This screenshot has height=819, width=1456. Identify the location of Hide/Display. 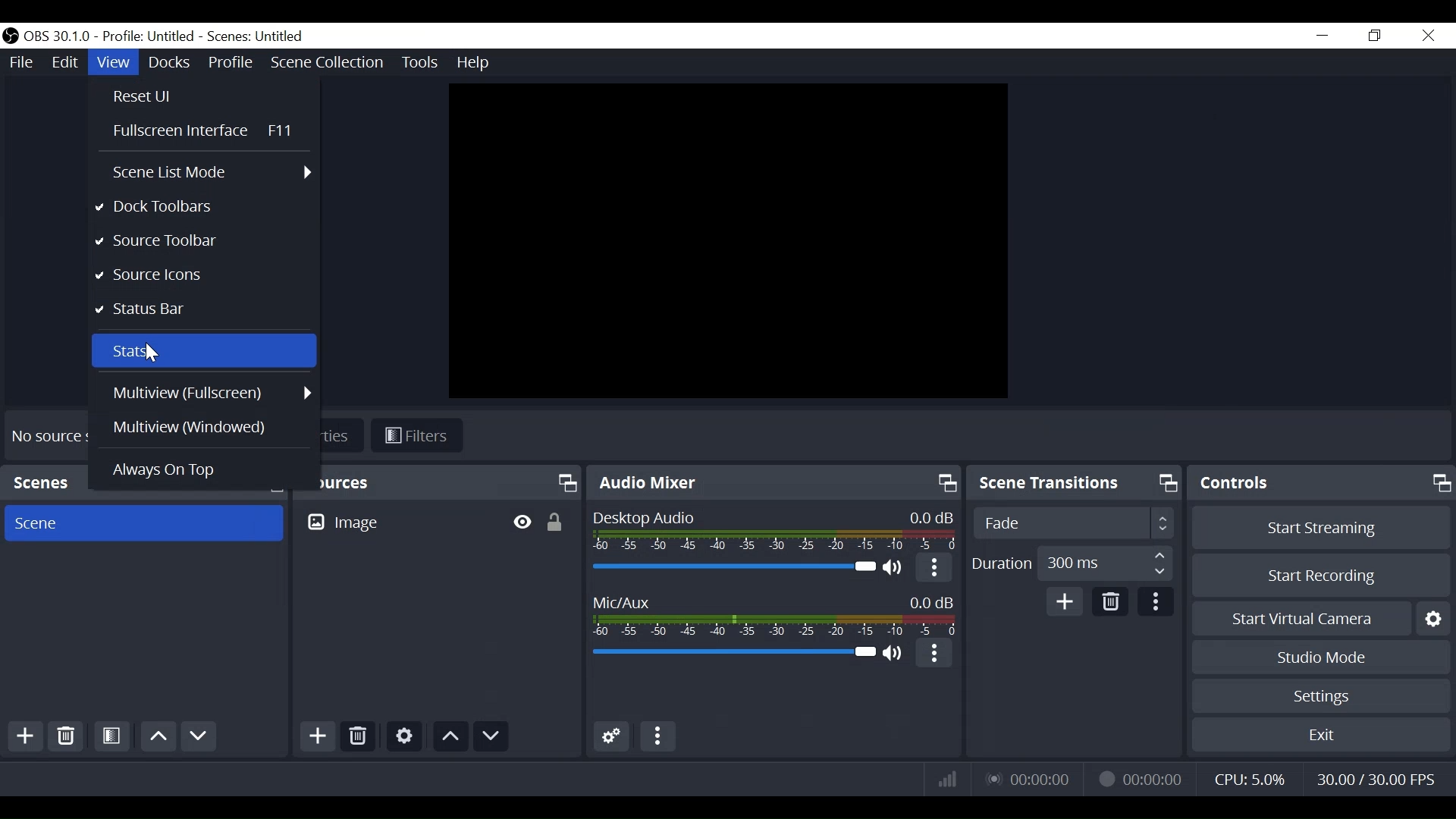
(521, 519).